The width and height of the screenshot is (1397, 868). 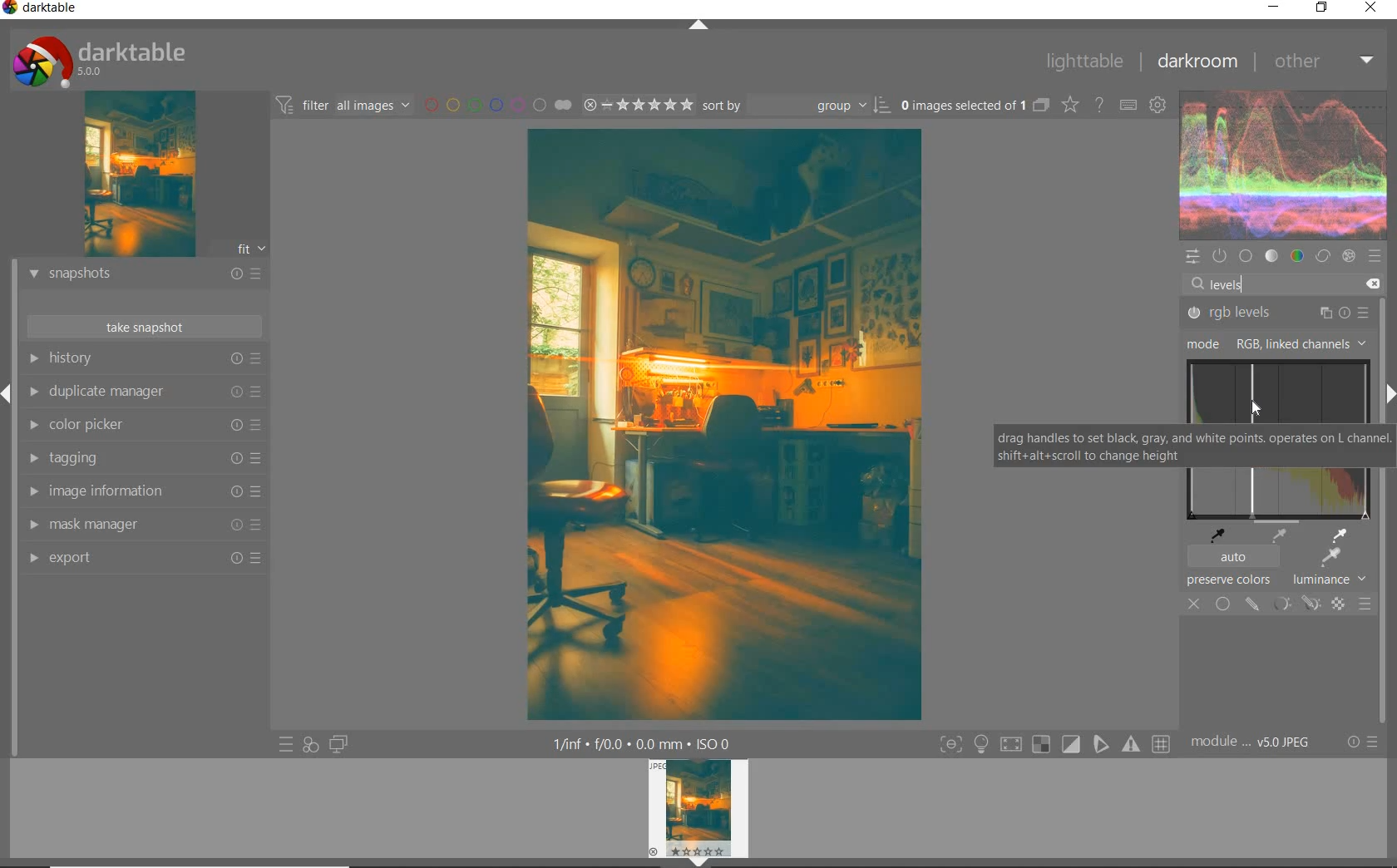 I want to click on preserve colors, so click(x=1229, y=581).